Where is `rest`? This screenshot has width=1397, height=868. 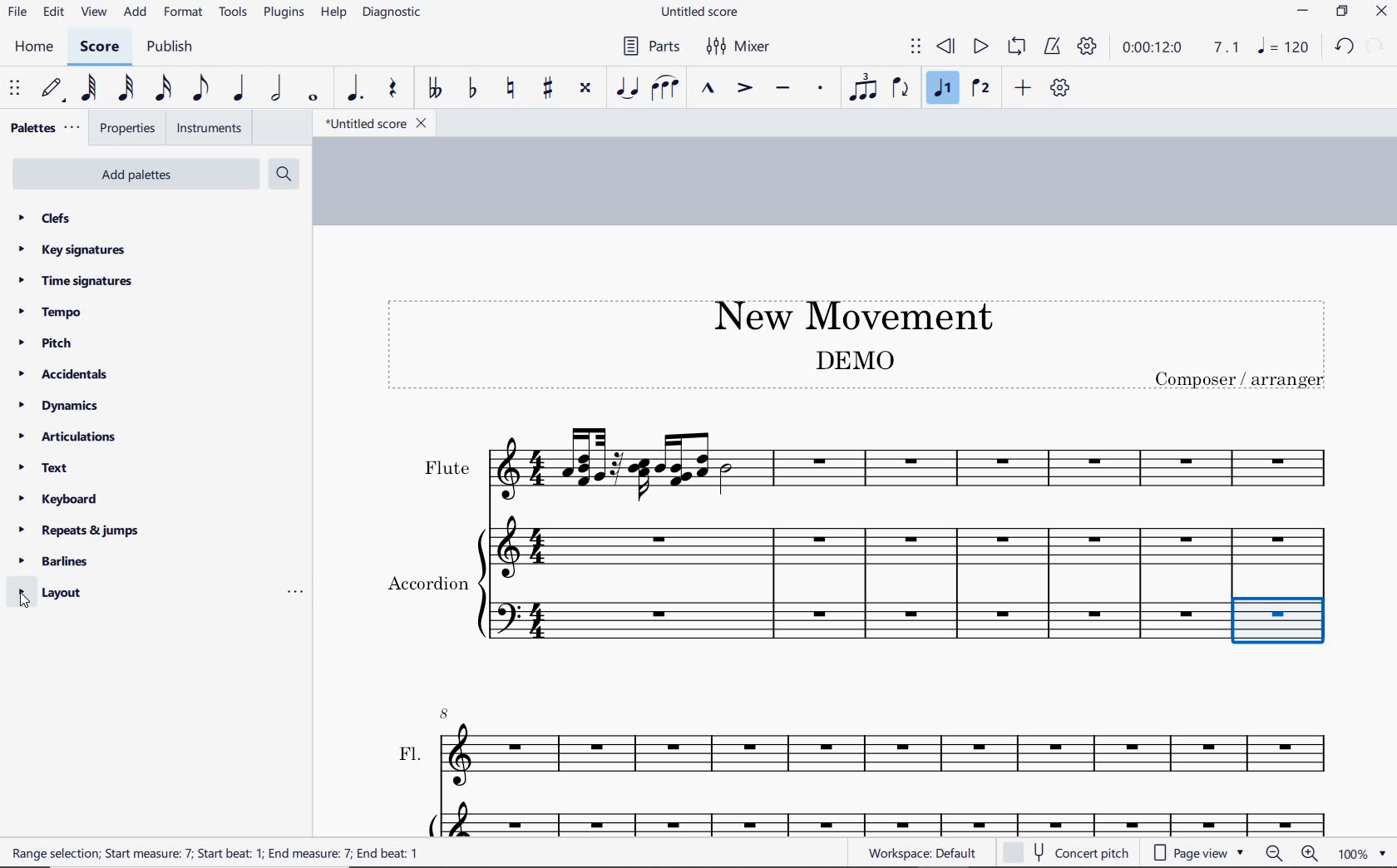
rest is located at coordinates (393, 90).